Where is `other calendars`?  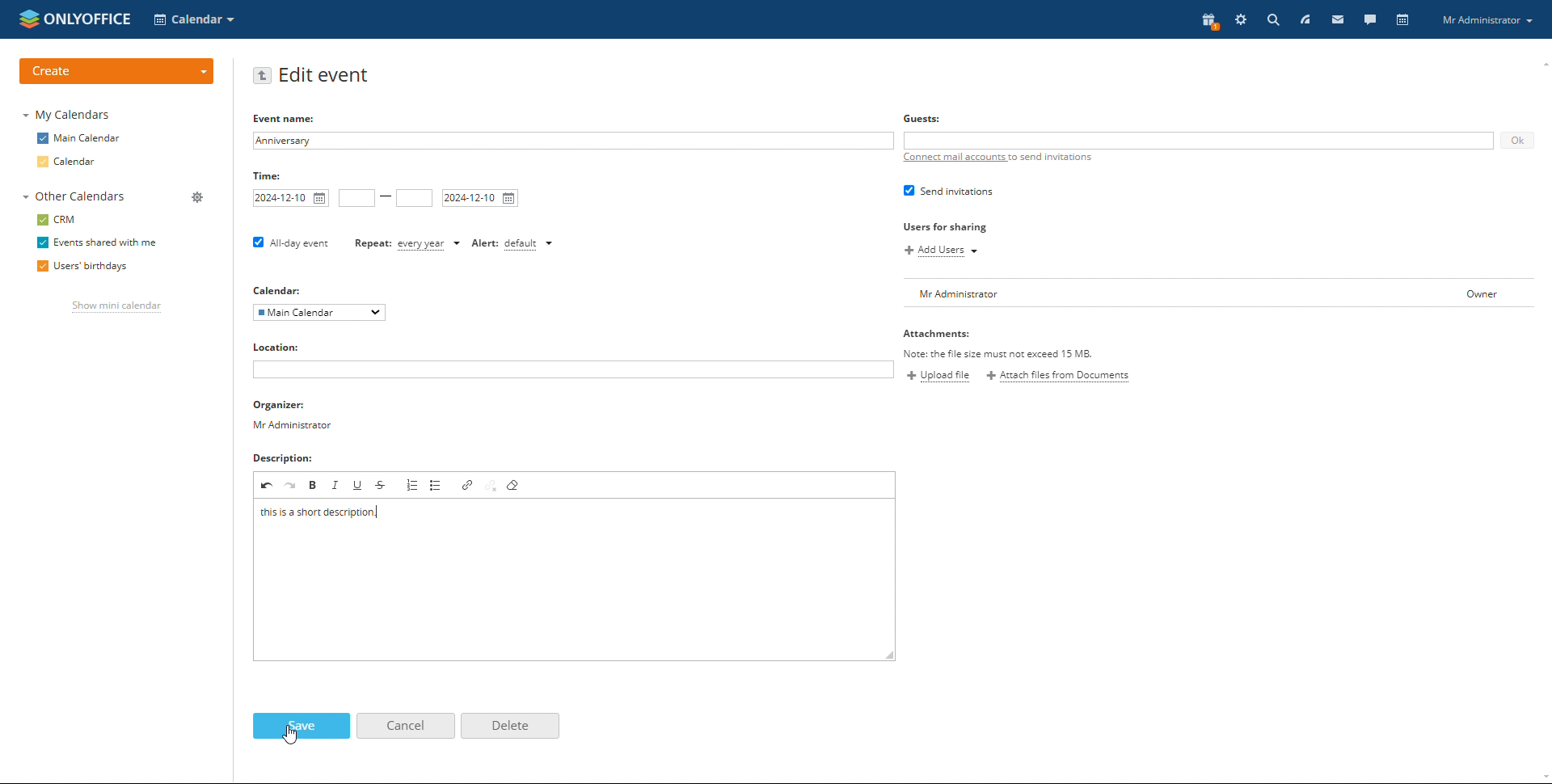 other calendars is located at coordinates (72, 197).